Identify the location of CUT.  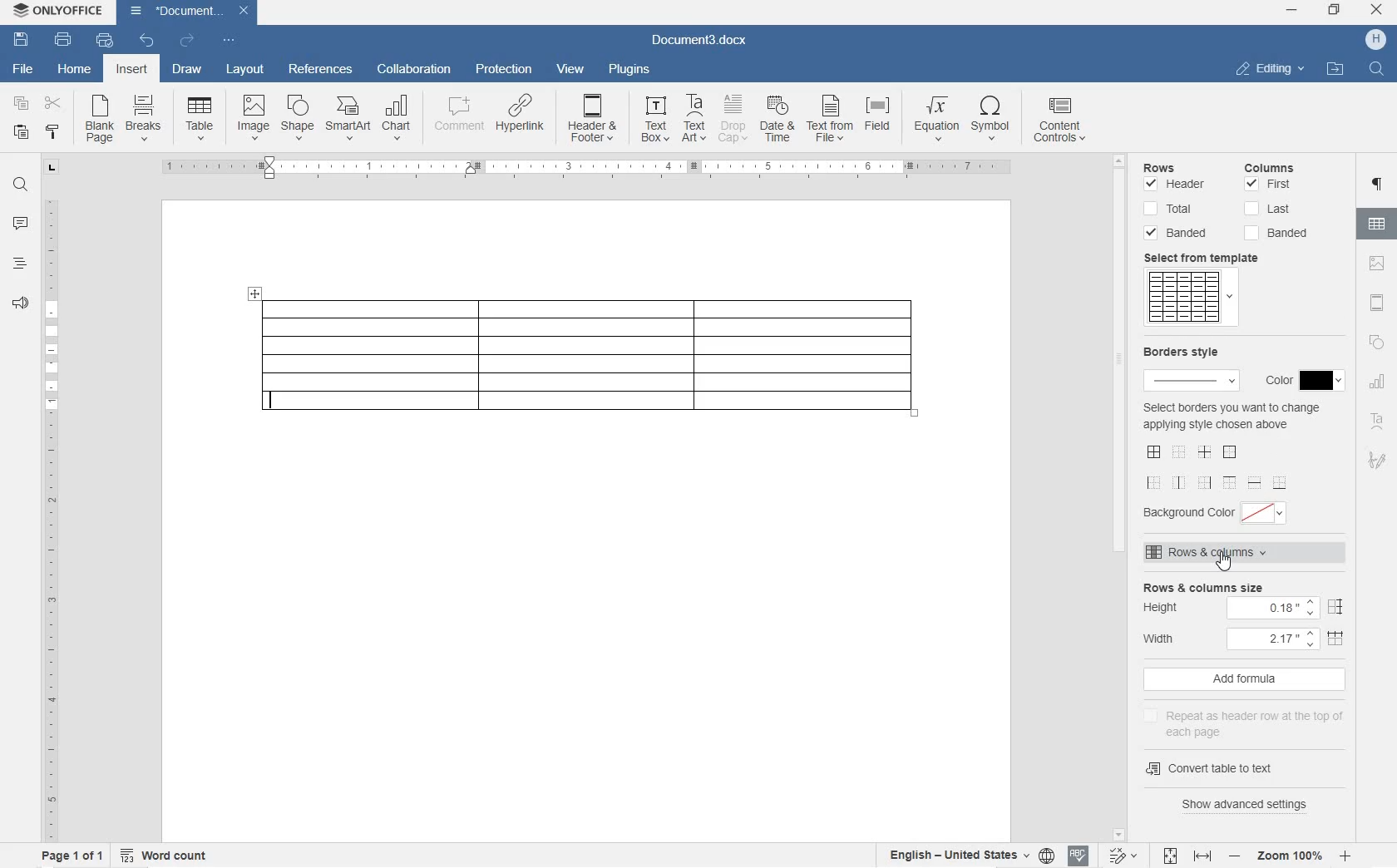
(52, 104).